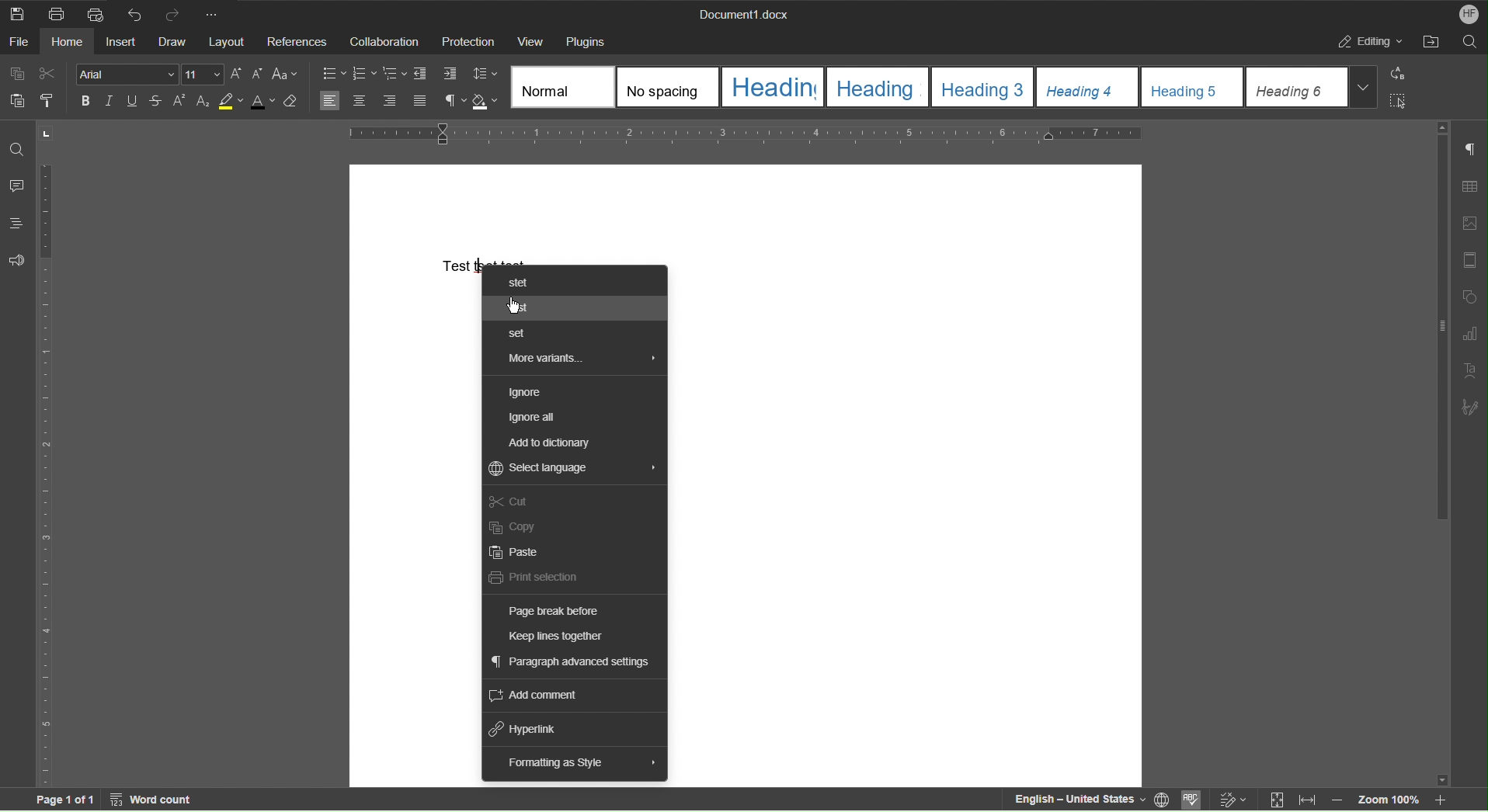 This screenshot has width=1488, height=812. What do you see at coordinates (85, 100) in the screenshot?
I see `Bold` at bounding box center [85, 100].